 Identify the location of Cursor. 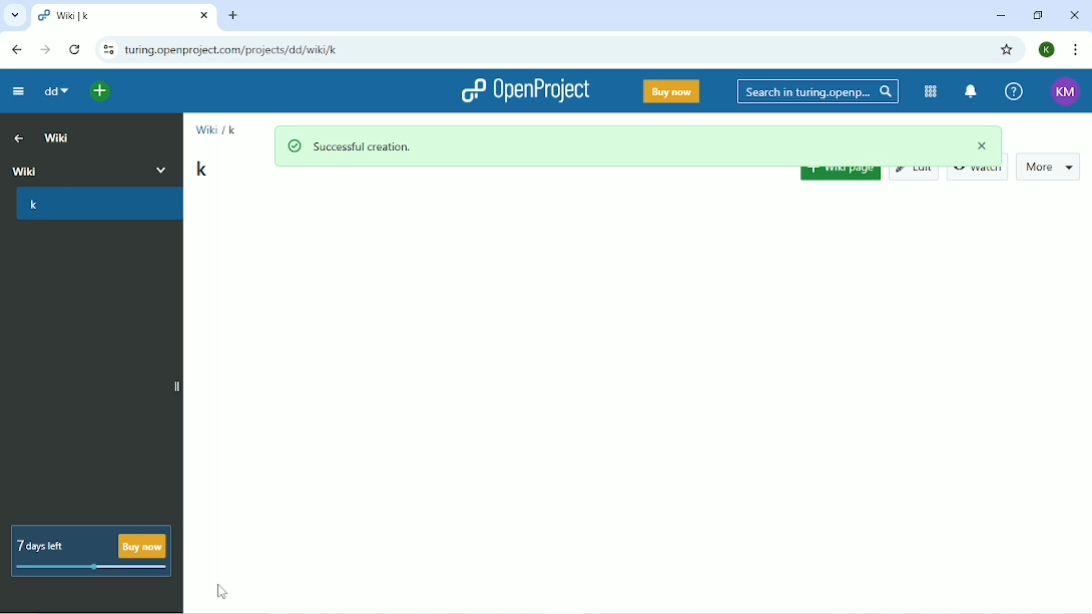
(221, 592).